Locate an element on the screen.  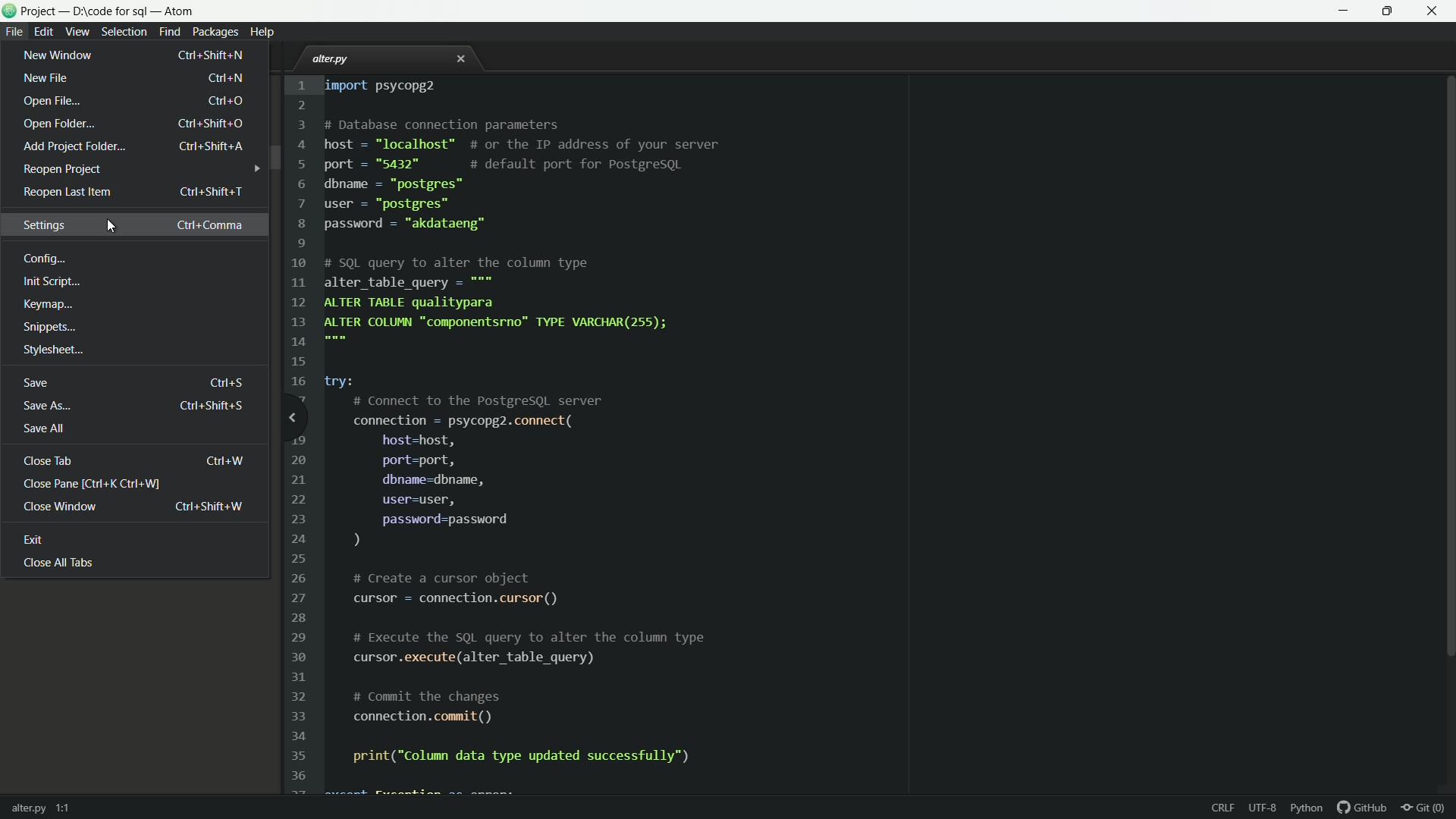
crlf is located at coordinates (1225, 809).